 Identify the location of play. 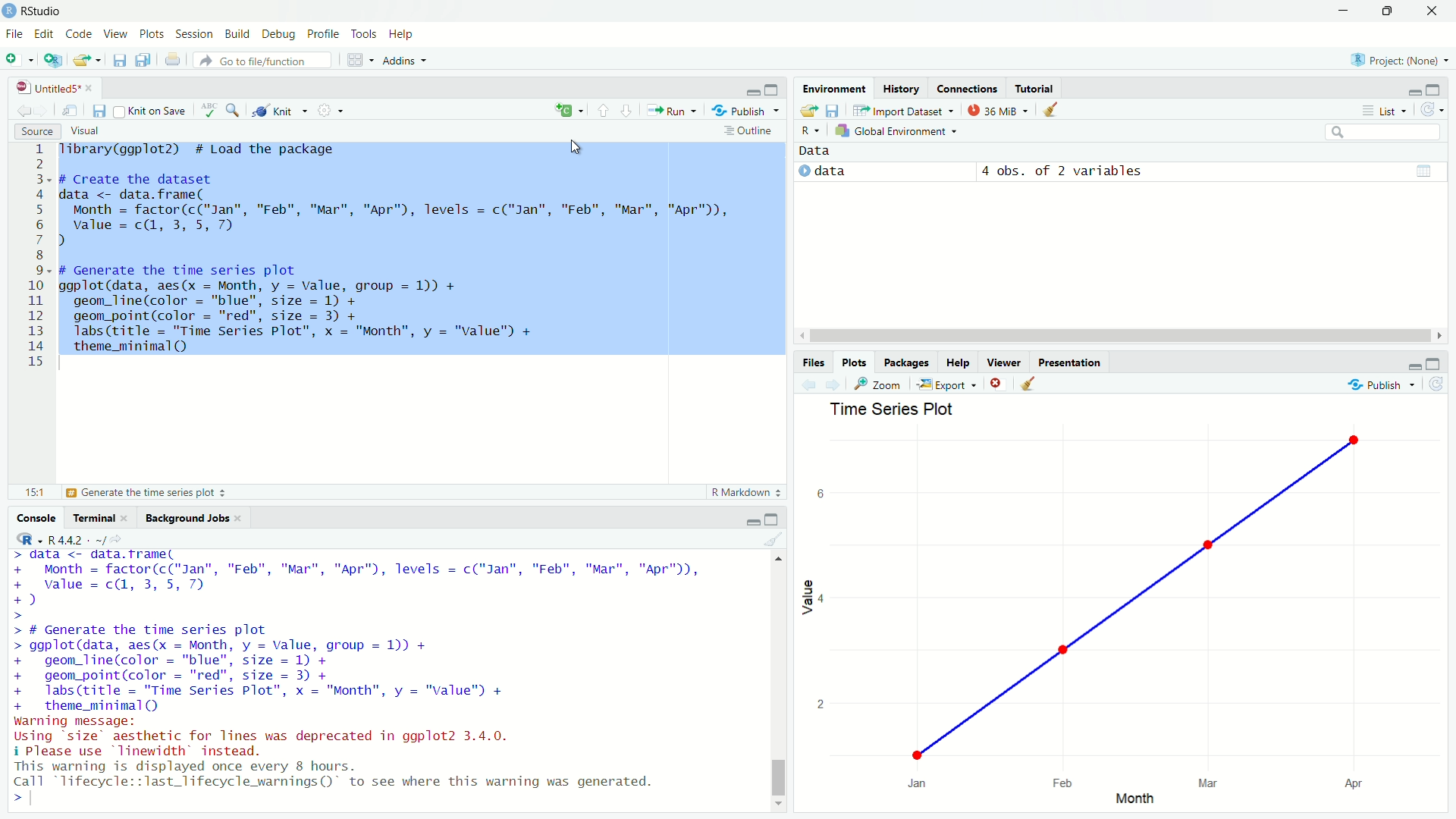
(804, 172).